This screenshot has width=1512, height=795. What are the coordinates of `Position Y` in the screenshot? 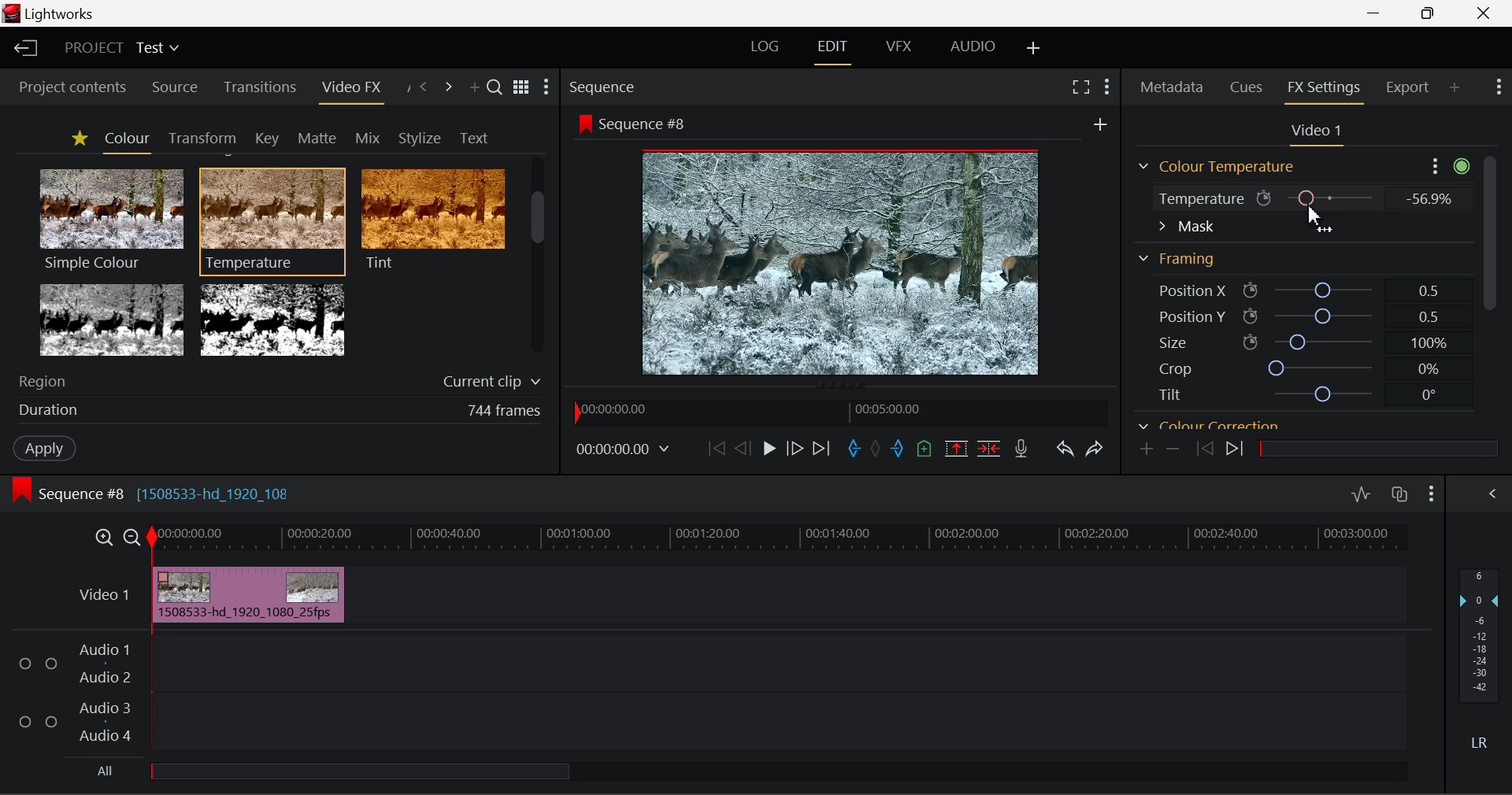 It's located at (1323, 316).